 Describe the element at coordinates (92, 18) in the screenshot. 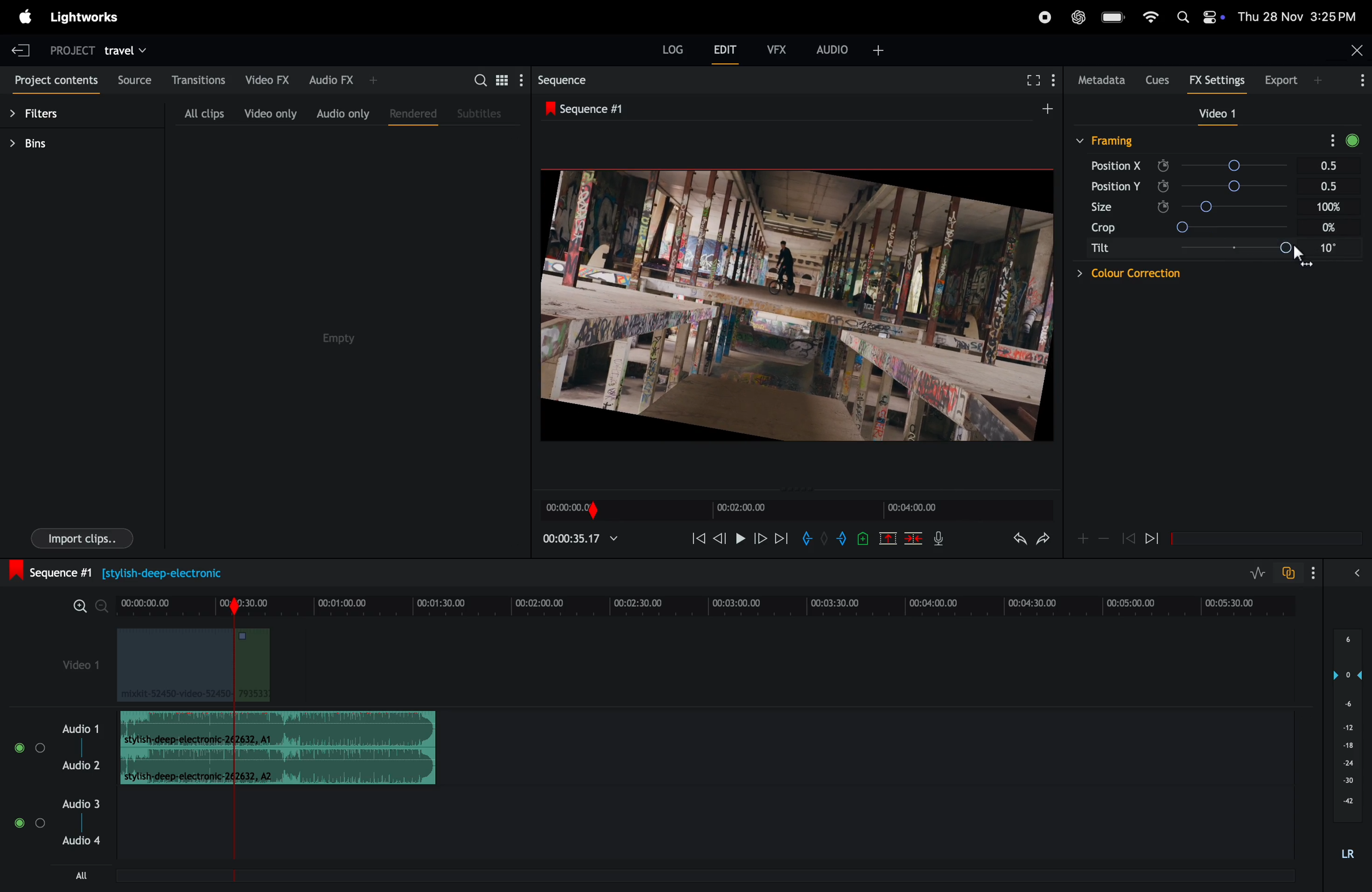

I see `light works menu` at that location.